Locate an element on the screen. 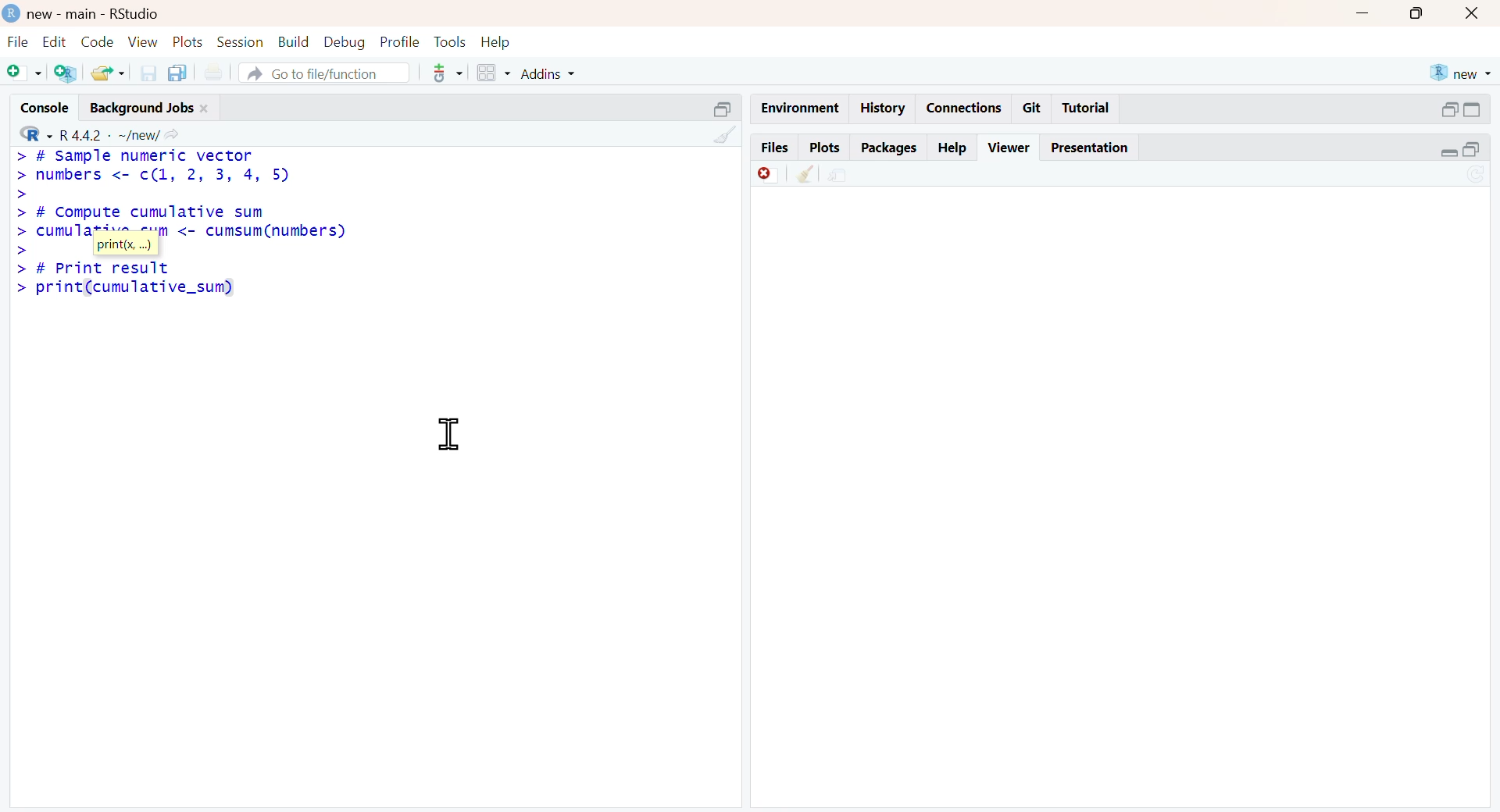 This screenshot has height=812, width=1500. code is located at coordinates (97, 41).